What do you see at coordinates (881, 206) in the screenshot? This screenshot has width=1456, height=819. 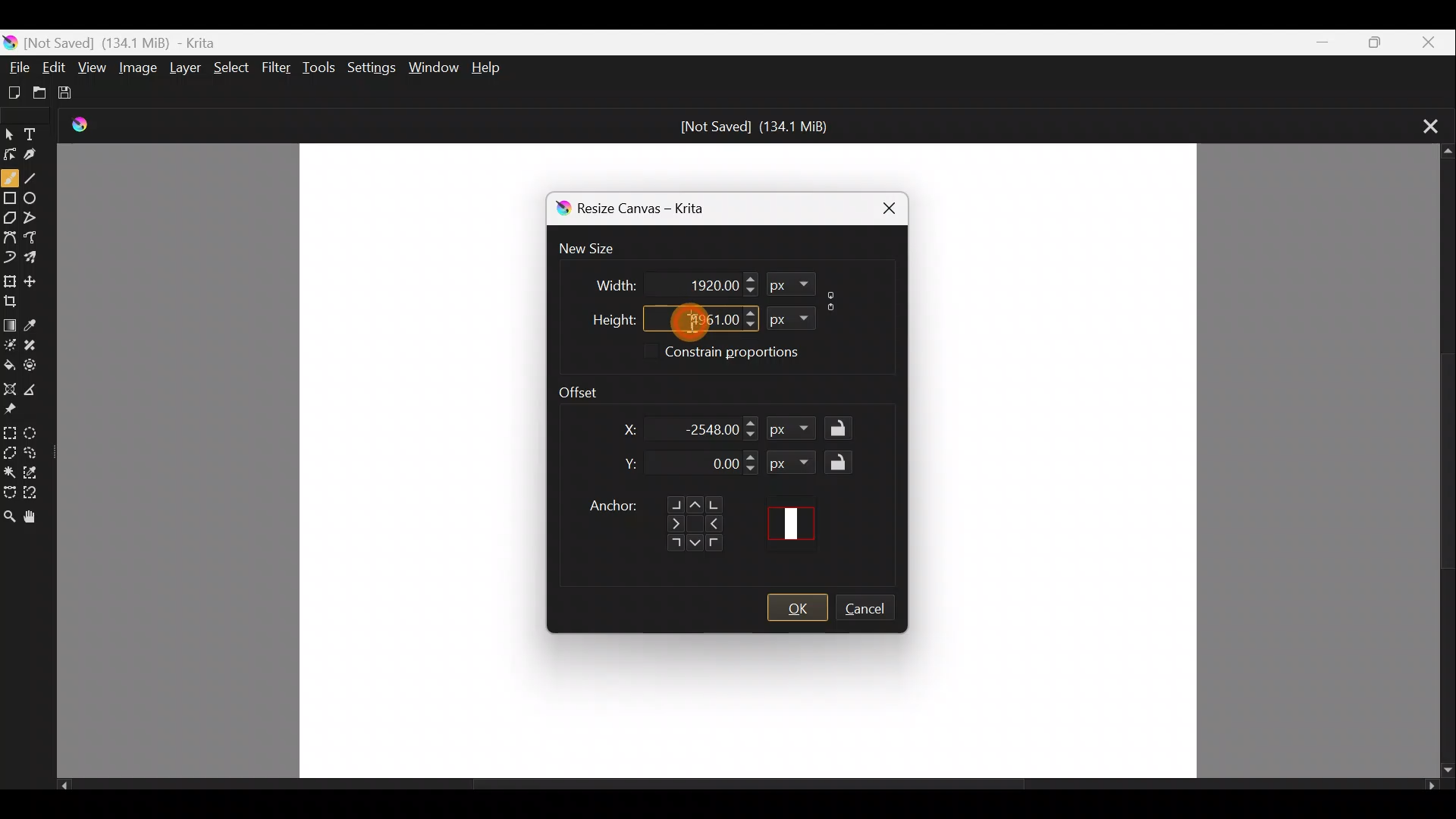 I see `Close` at bounding box center [881, 206].